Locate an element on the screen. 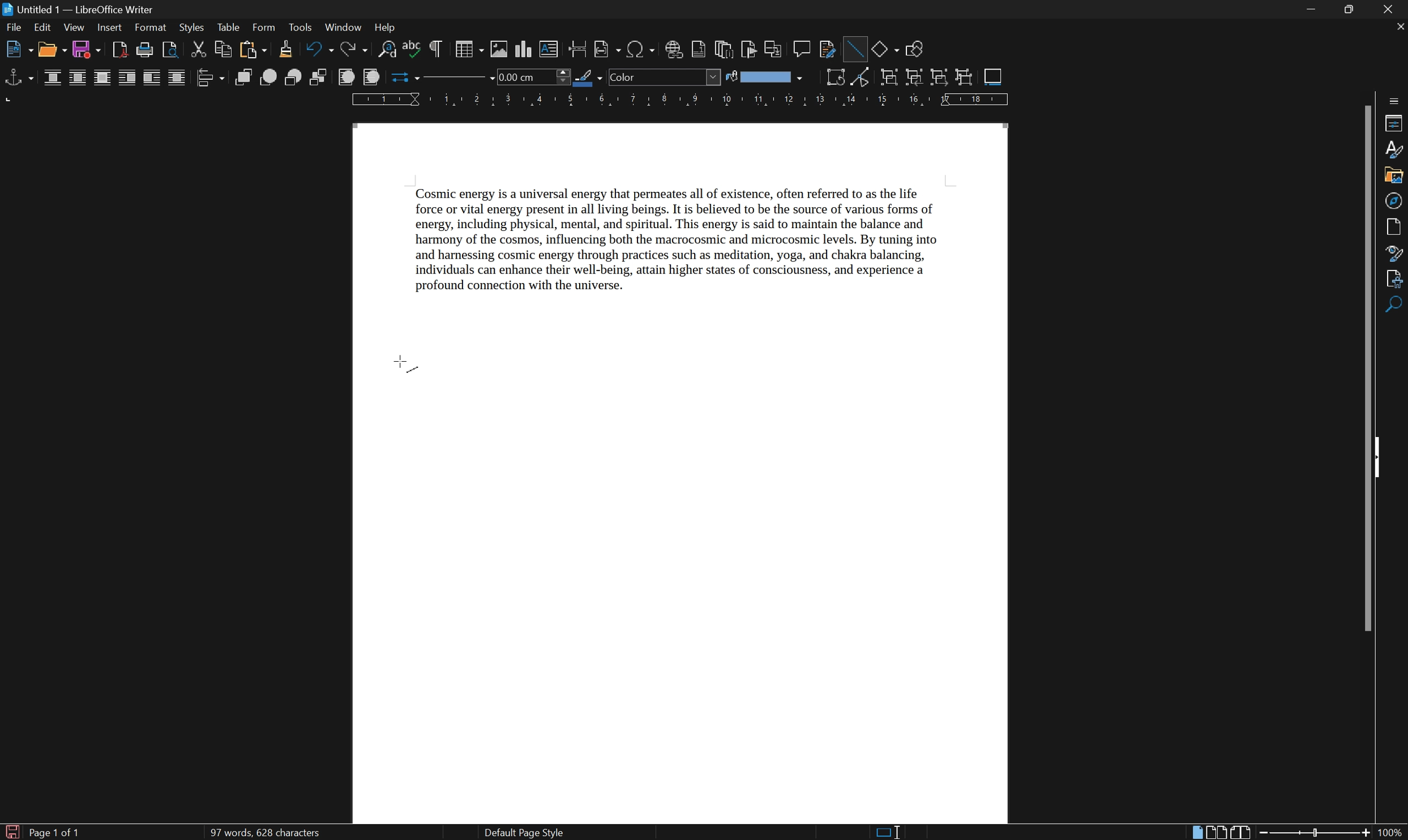 The height and width of the screenshot is (840, 1408). insert textbox is located at coordinates (549, 48).